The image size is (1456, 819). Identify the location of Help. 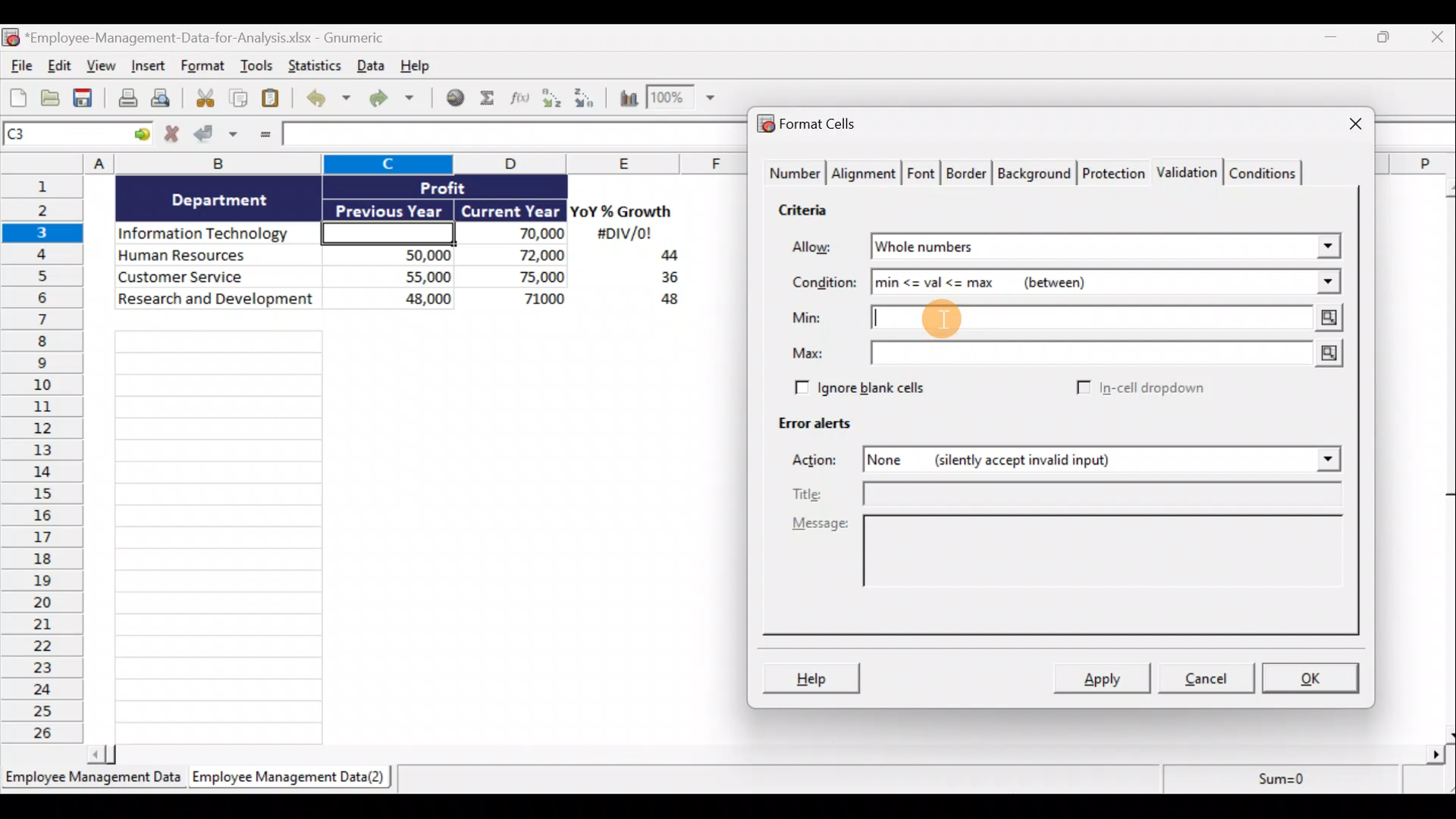
(420, 64).